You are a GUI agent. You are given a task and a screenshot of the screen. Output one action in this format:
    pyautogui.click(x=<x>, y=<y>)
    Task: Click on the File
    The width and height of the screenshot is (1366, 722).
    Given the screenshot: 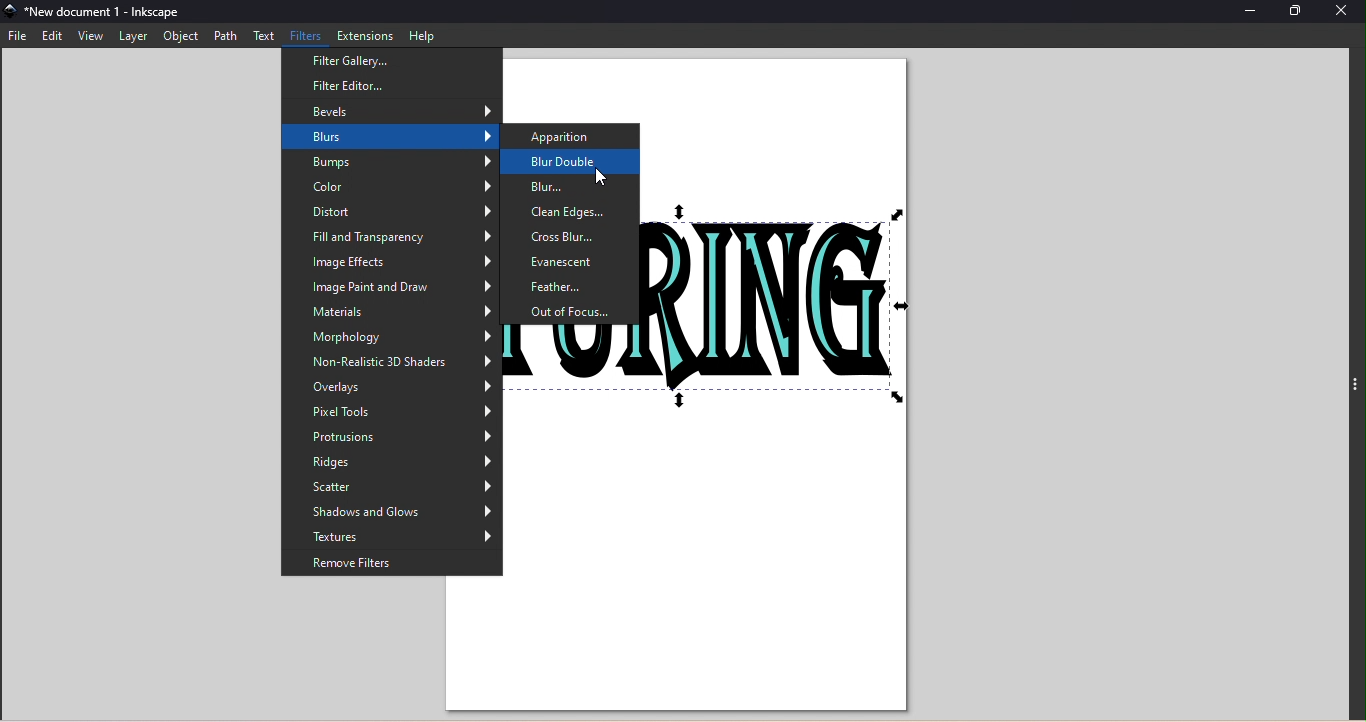 What is the action you would take?
    pyautogui.click(x=21, y=35)
    